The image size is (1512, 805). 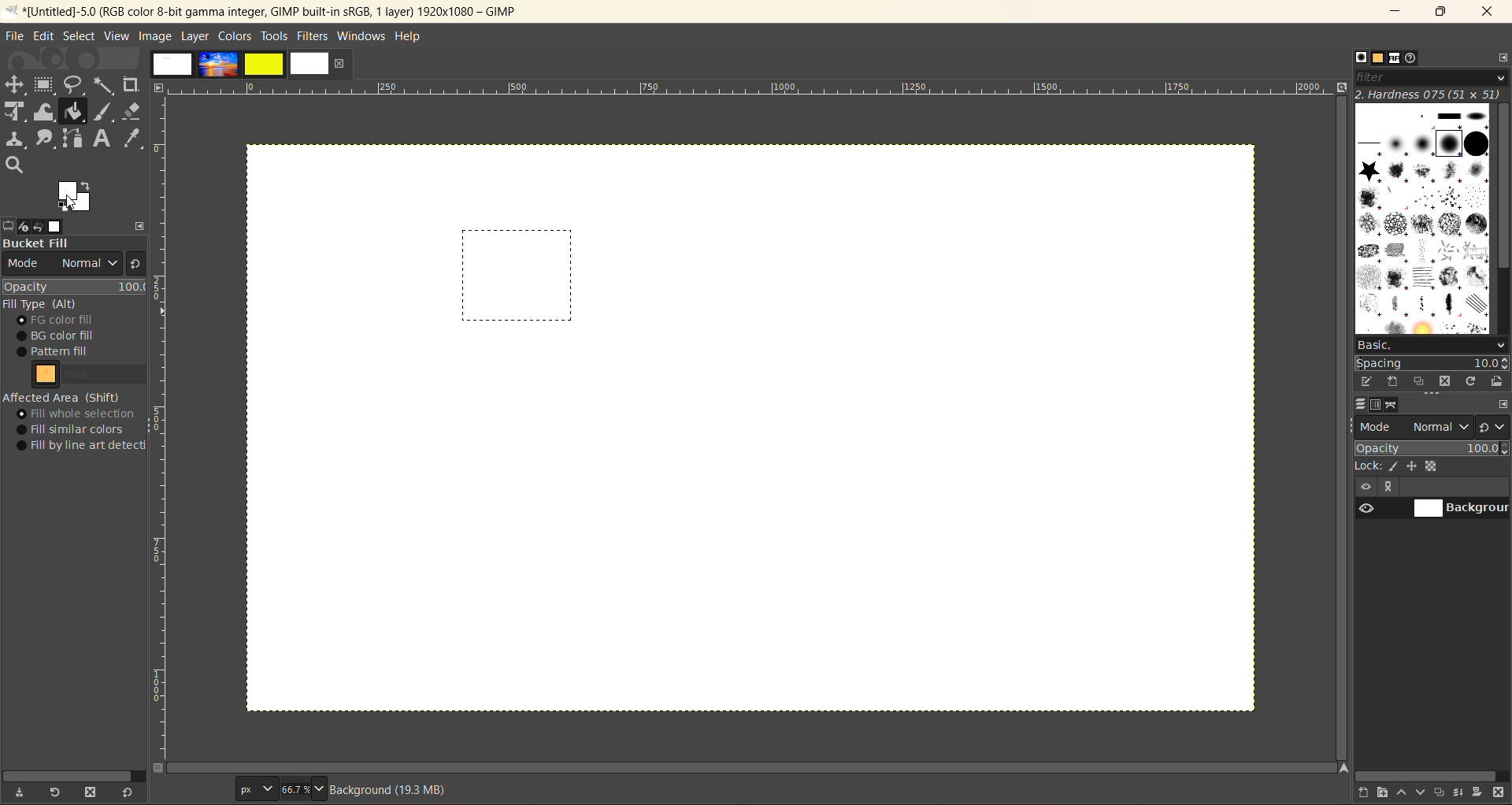 I want to click on vertical scroll bar, so click(x=1336, y=402).